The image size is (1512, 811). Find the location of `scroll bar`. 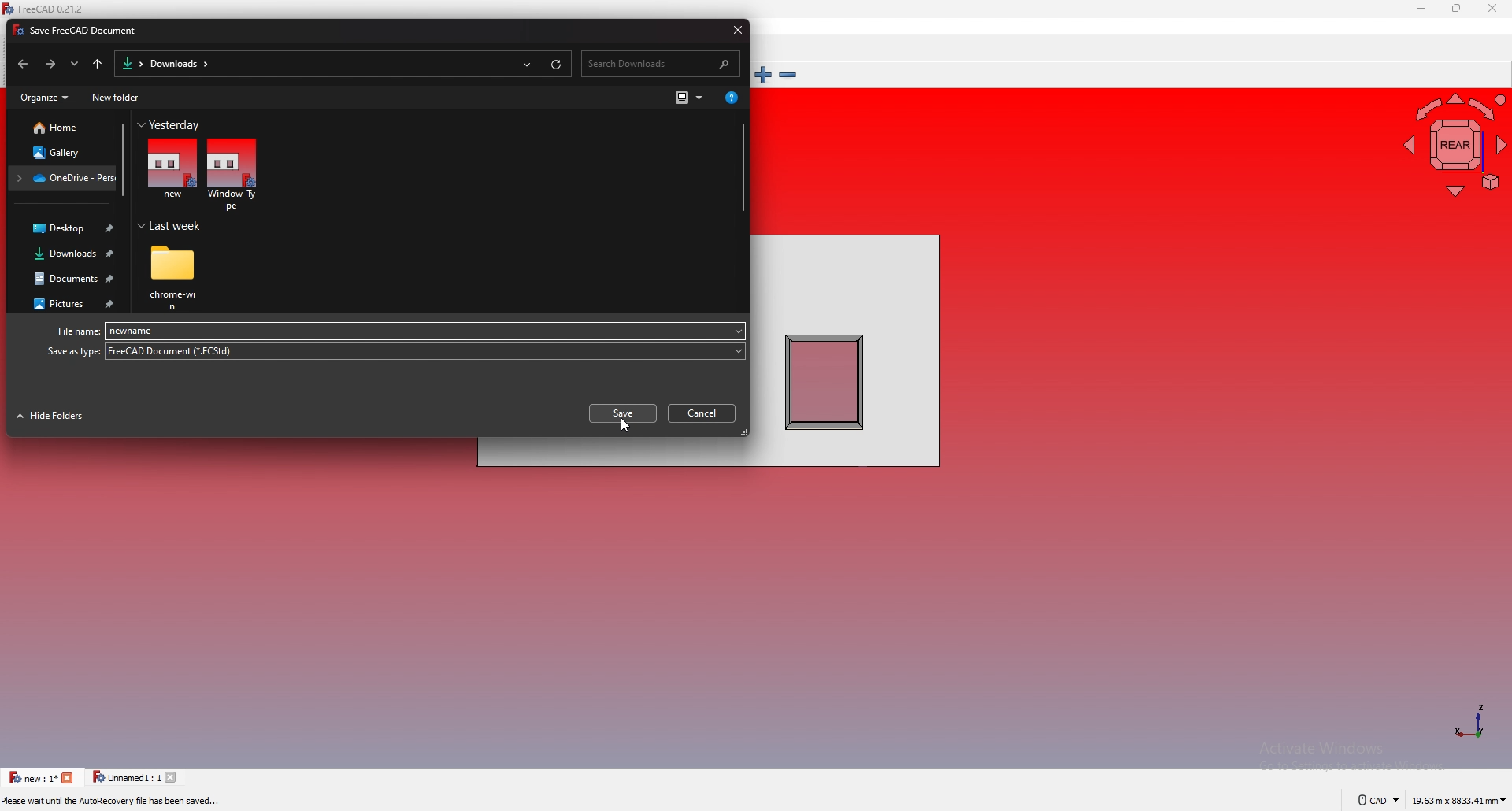

scroll bar is located at coordinates (743, 170).